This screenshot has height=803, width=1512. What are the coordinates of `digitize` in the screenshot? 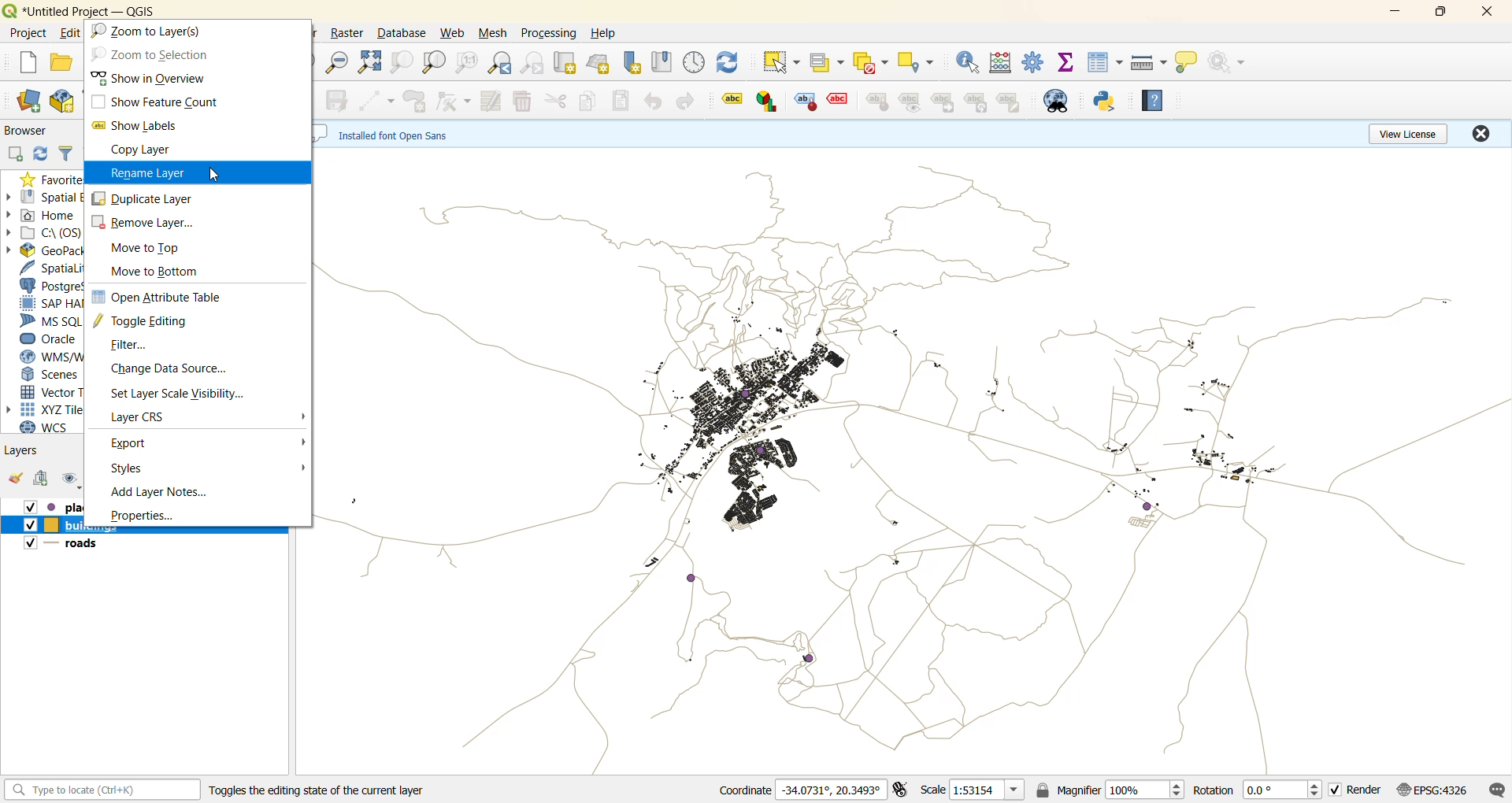 It's located at (376, 100).